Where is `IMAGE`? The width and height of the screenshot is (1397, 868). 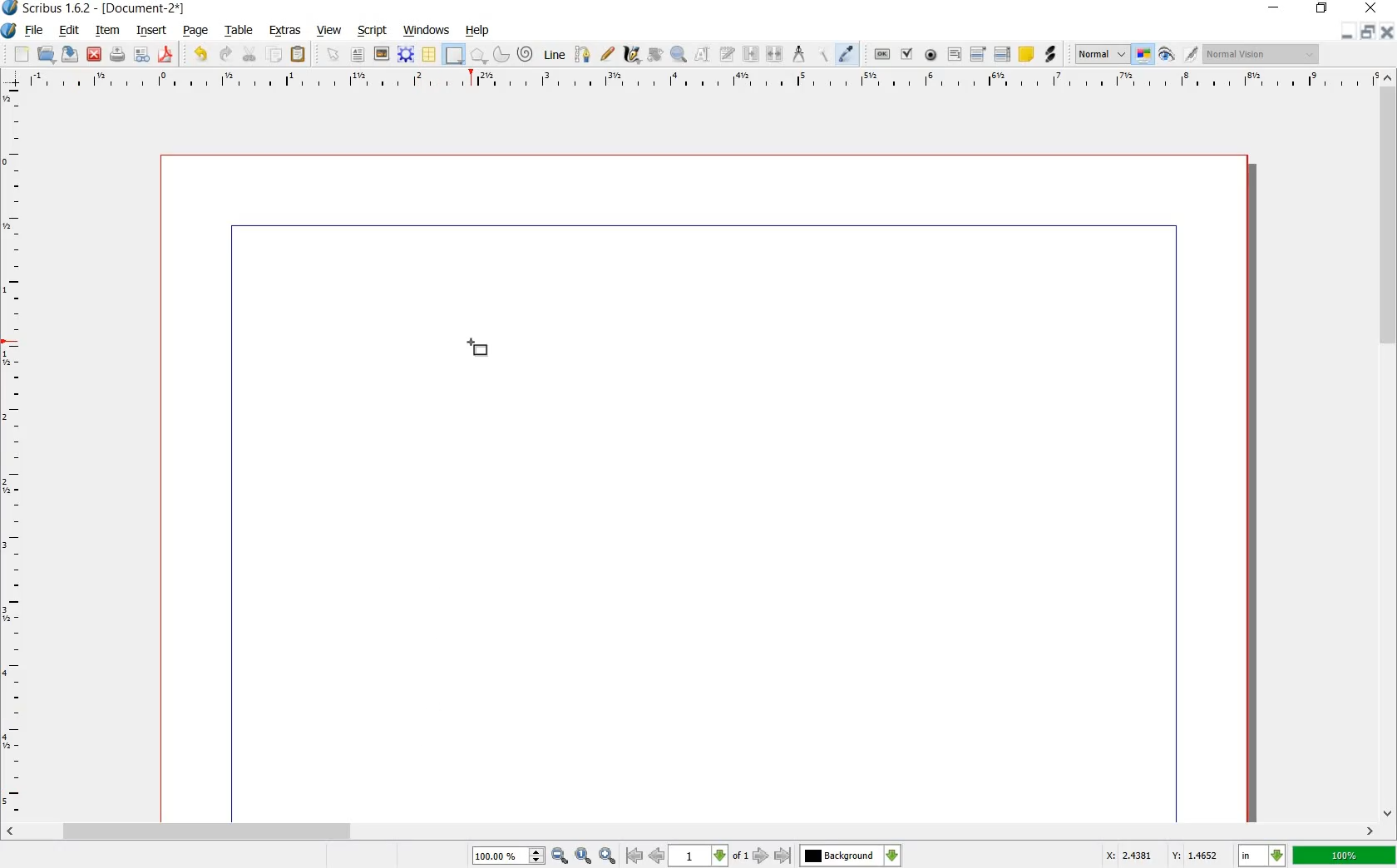
IMAGE is located at coordinates (382, 53).